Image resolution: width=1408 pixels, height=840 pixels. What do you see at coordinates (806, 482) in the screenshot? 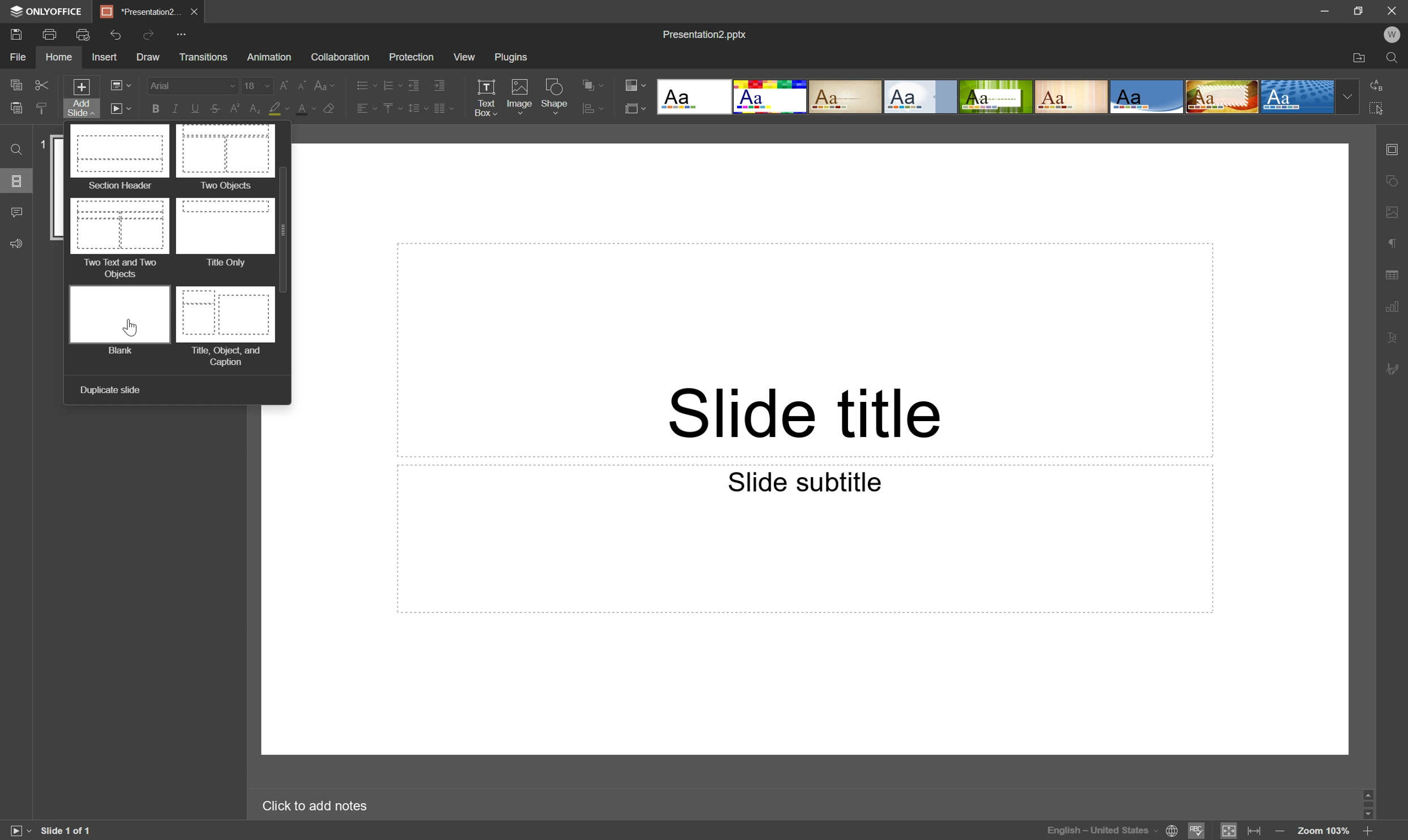
I see `Slide subtitle` at bounding box center [806, 482].